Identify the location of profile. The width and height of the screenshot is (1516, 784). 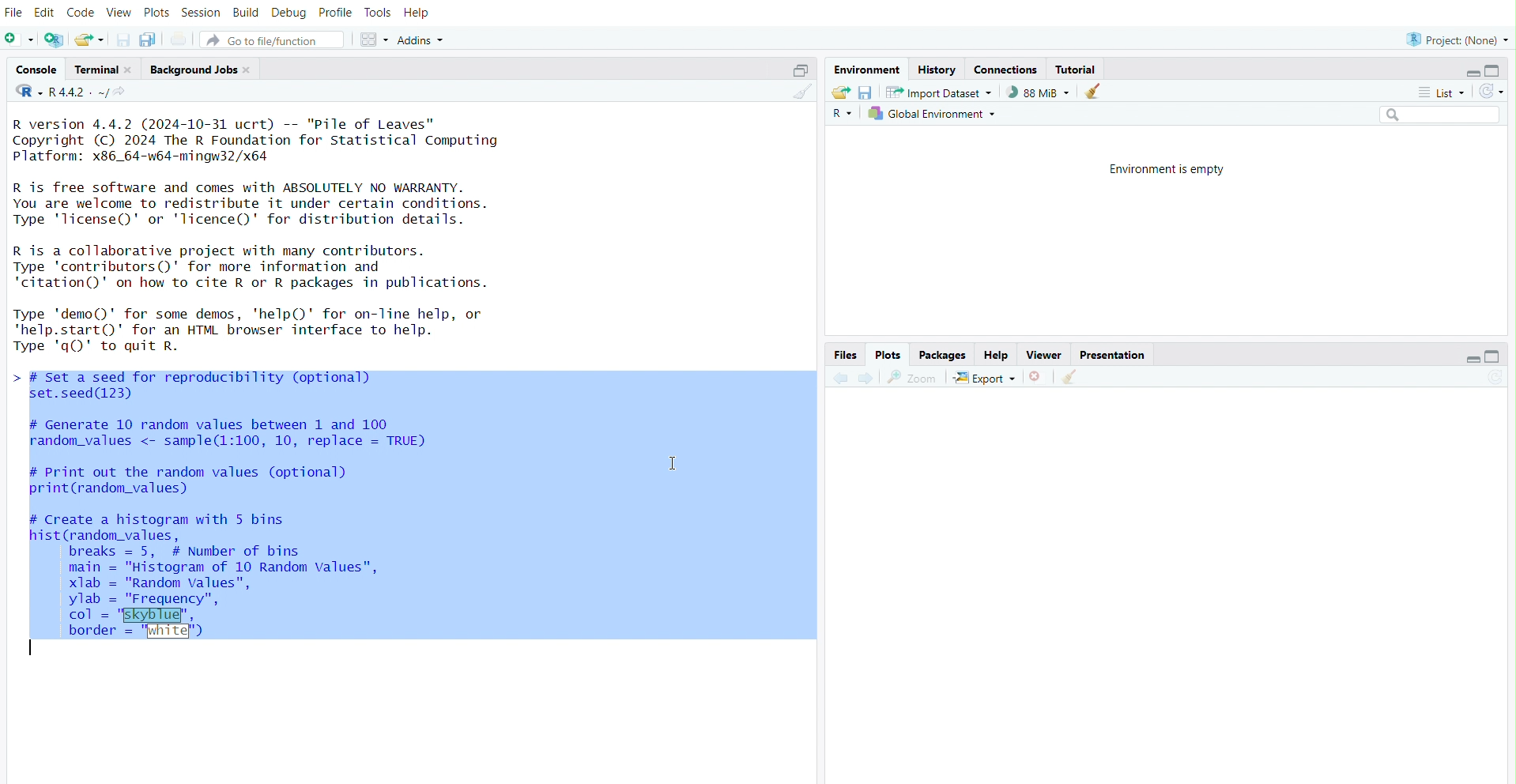
(334, 10).